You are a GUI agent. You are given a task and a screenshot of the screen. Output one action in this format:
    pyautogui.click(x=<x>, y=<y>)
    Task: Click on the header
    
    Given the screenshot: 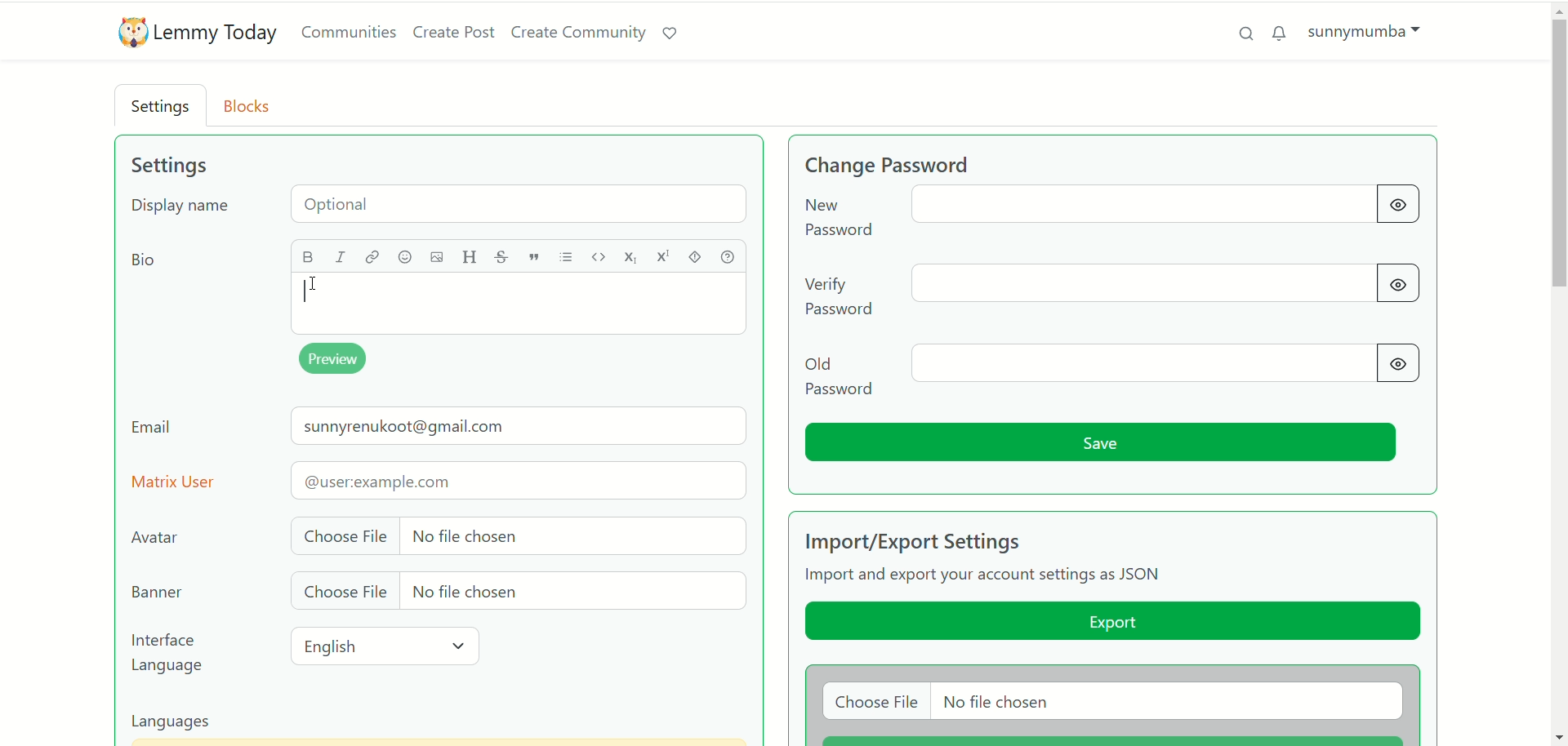 What is the action you would take?
    pyautogui.click(x=469, y=257)
    